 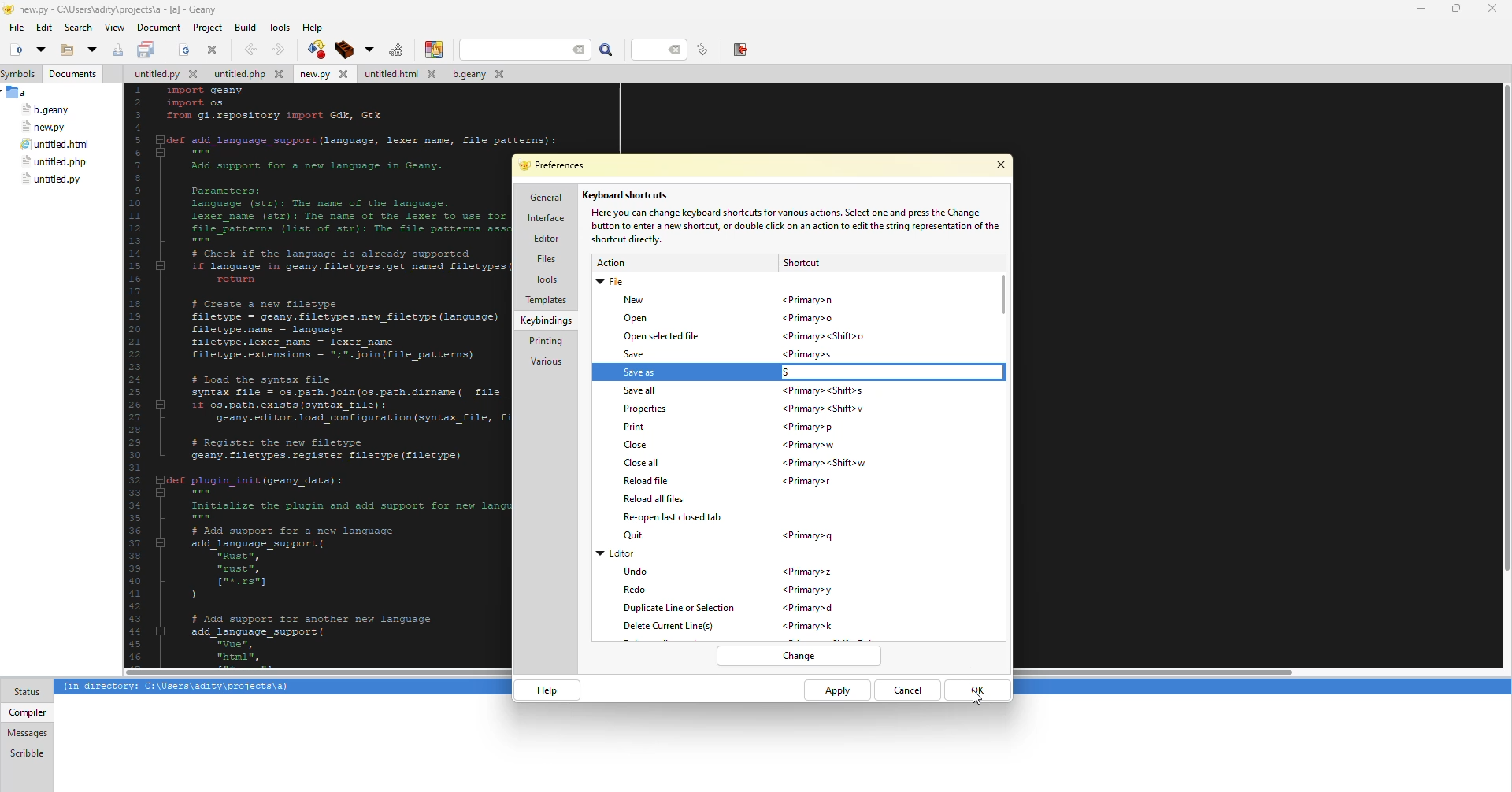 What do you see at coordinates (18, 92) in the screenshot?
I see `a` at bounding box center [18, 92].